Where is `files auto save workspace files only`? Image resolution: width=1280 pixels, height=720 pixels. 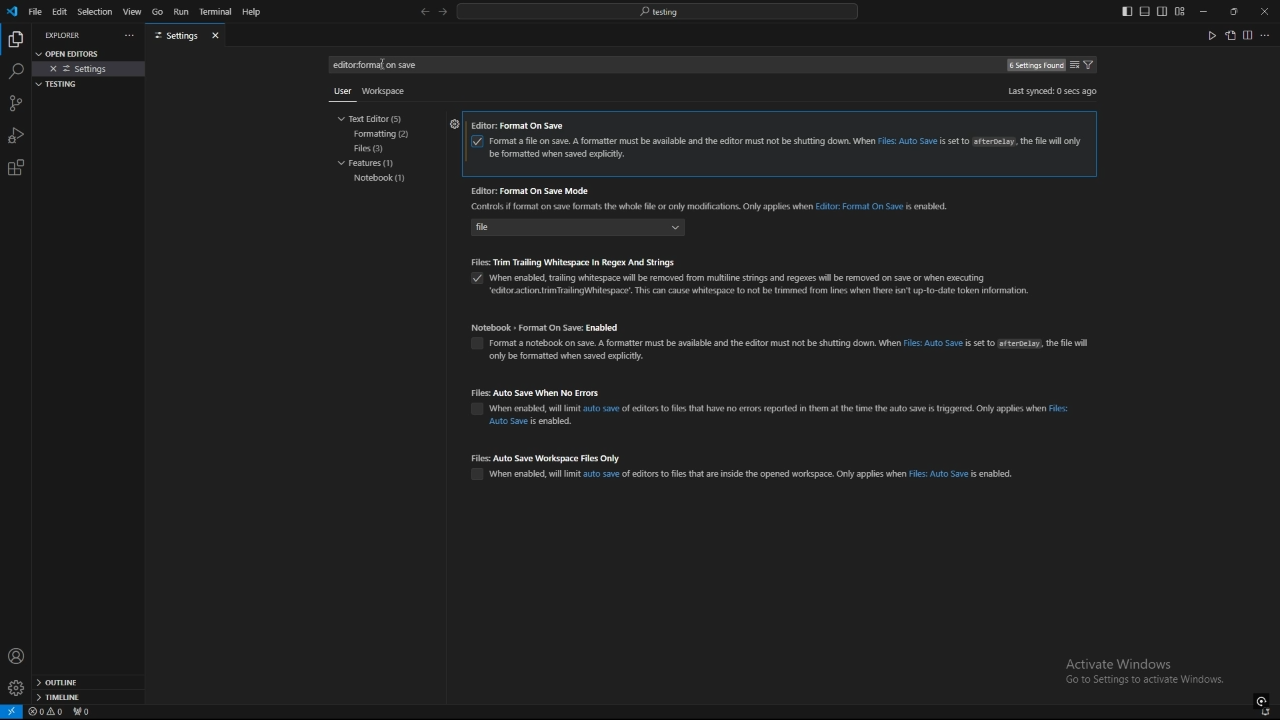 files auto save workspace files only is located at coordinates (748, 456).